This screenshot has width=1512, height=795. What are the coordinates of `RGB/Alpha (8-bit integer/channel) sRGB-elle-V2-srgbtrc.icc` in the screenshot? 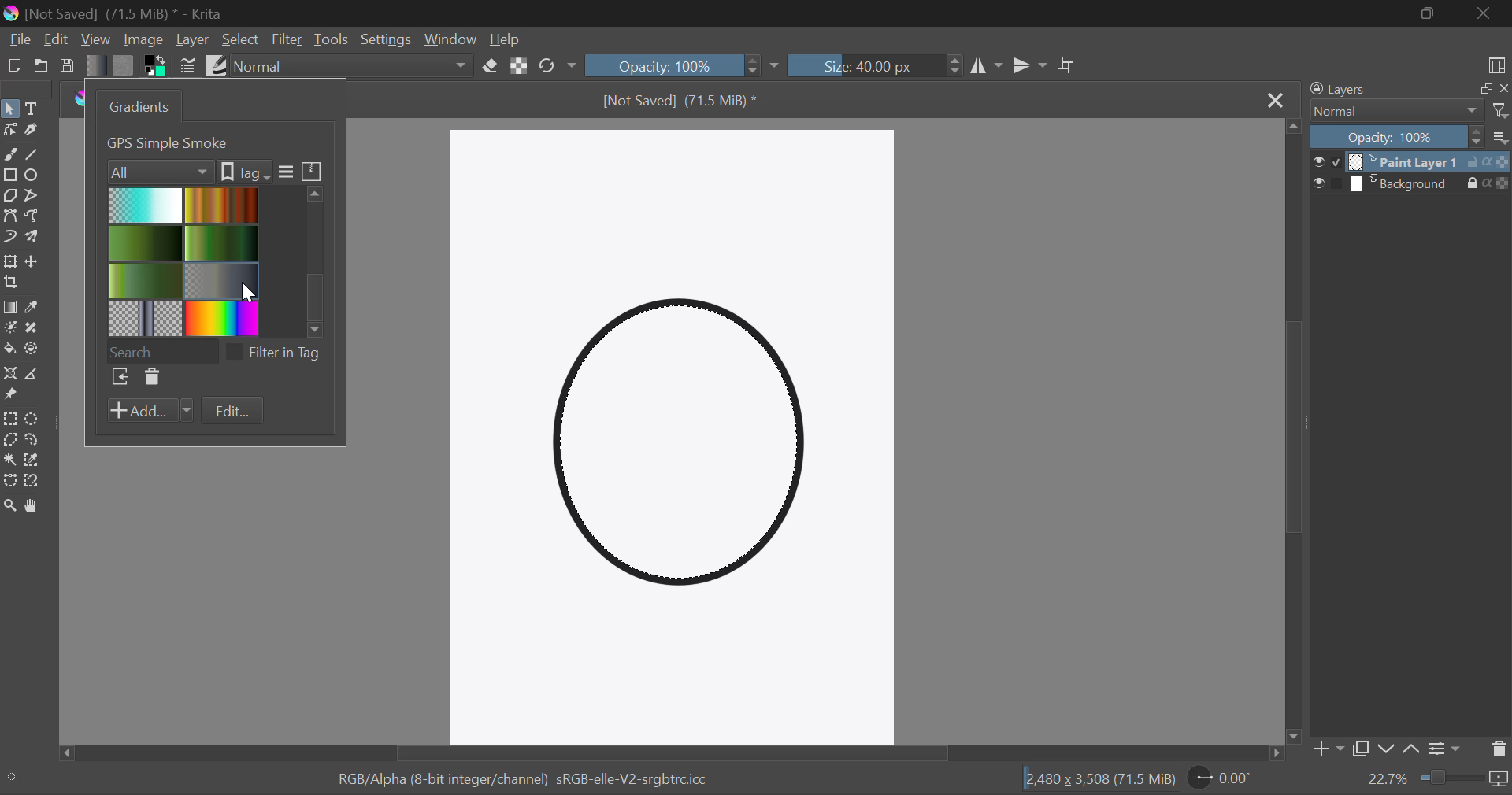 It's located at (526, 779).